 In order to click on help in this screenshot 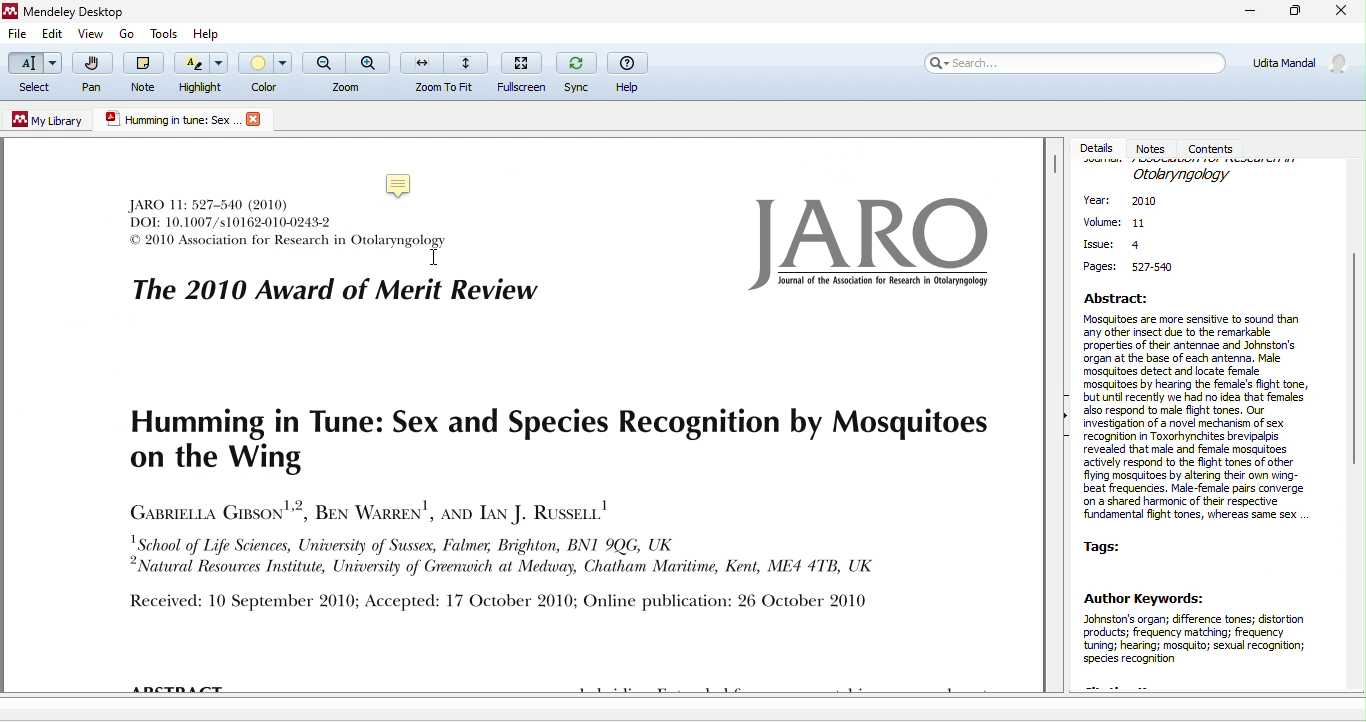, I will do `click(630, 72)`.